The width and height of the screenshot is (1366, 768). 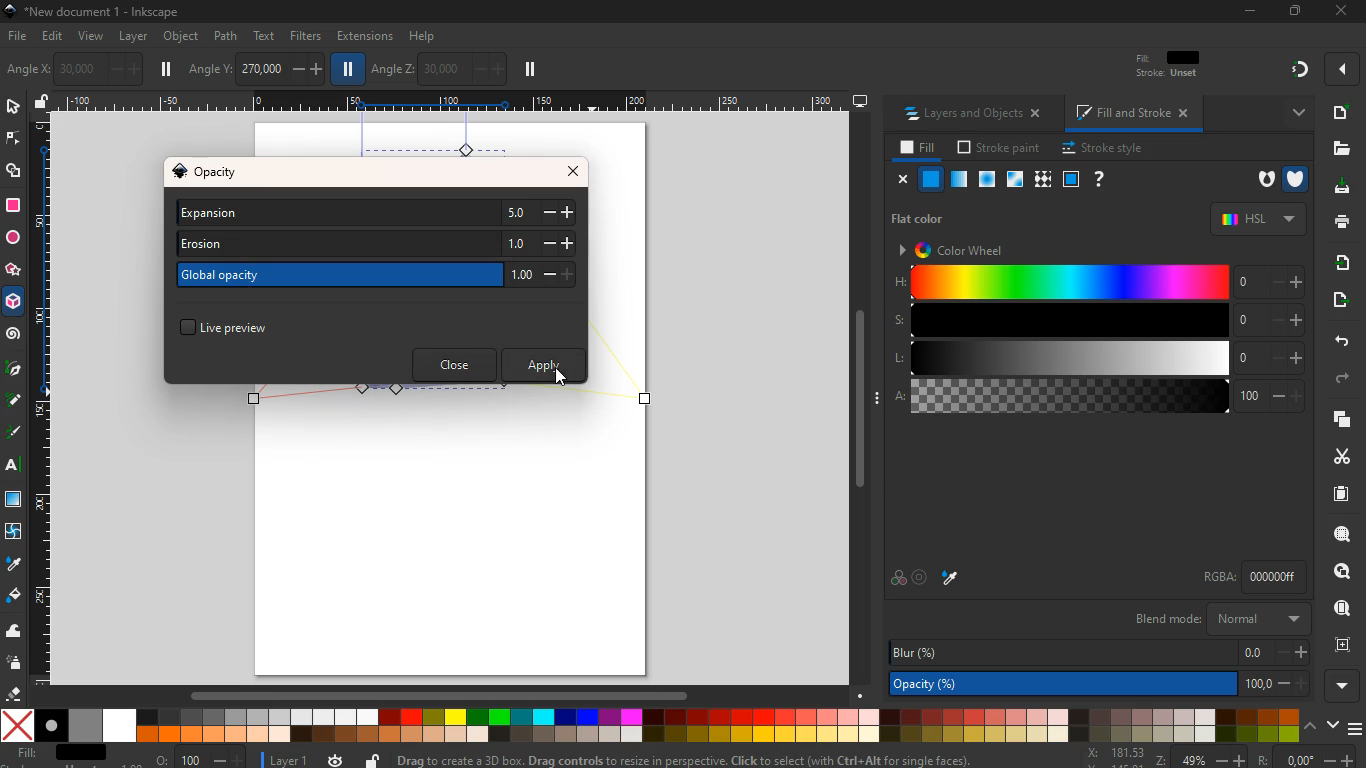 I want to click on pause, so click(x=168, y=69).